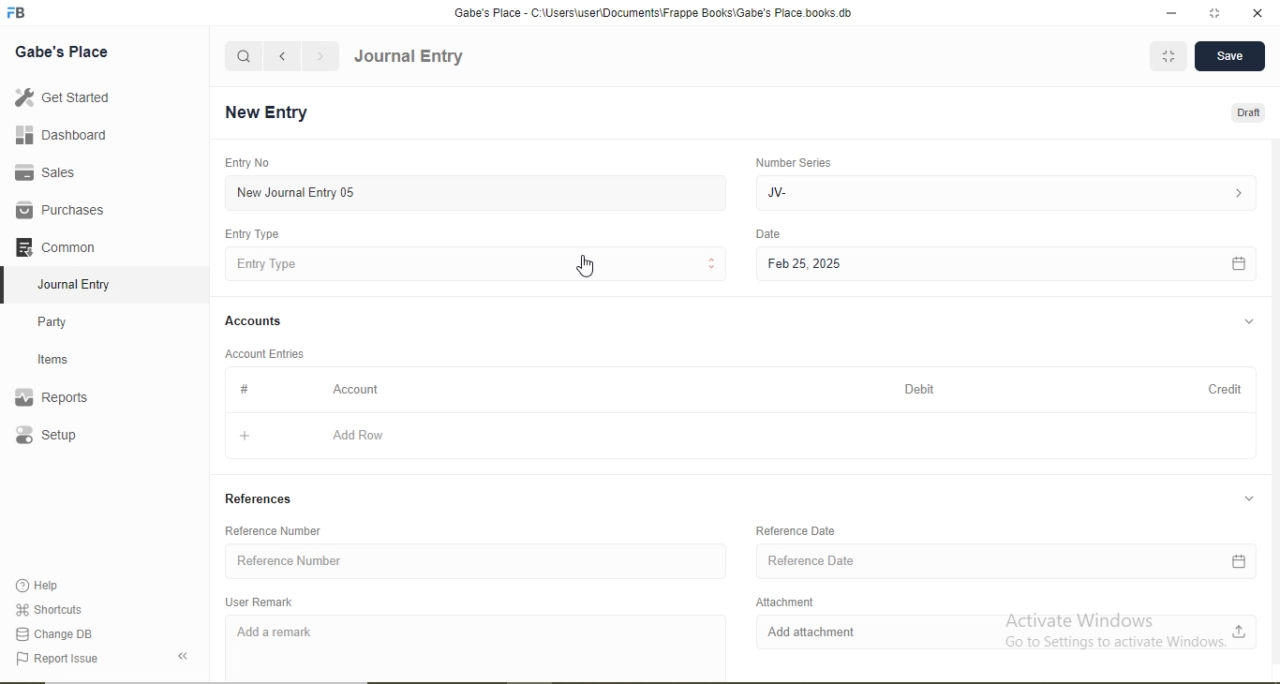 The height and width of the screenshot is (684, 1280). What do you see at coordinates (246, 389) in the screenshot?
I see `` at bounding box center [246, 389].